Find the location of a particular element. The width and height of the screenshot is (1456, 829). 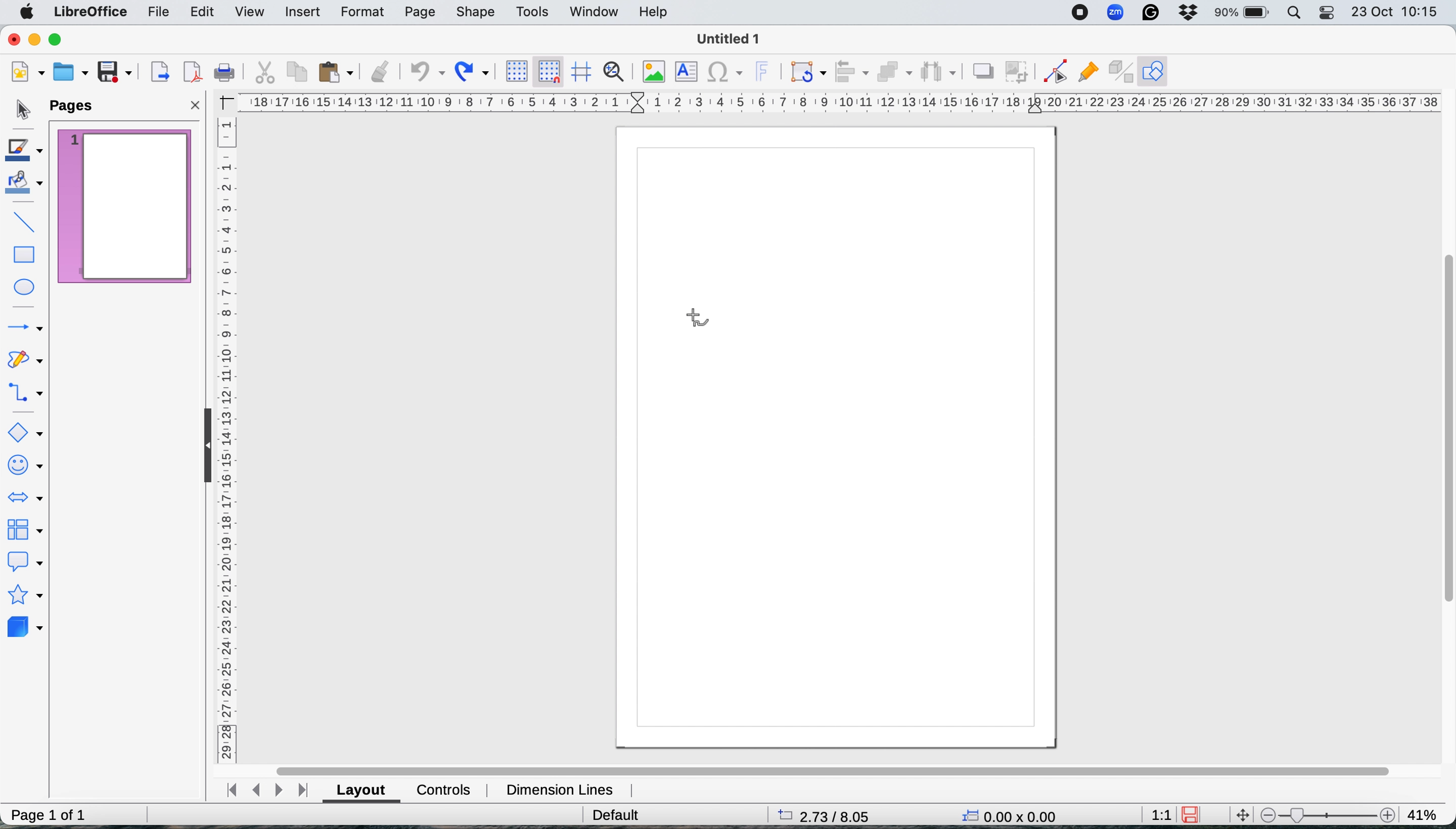

connectors is located at coordinates (27, 393).